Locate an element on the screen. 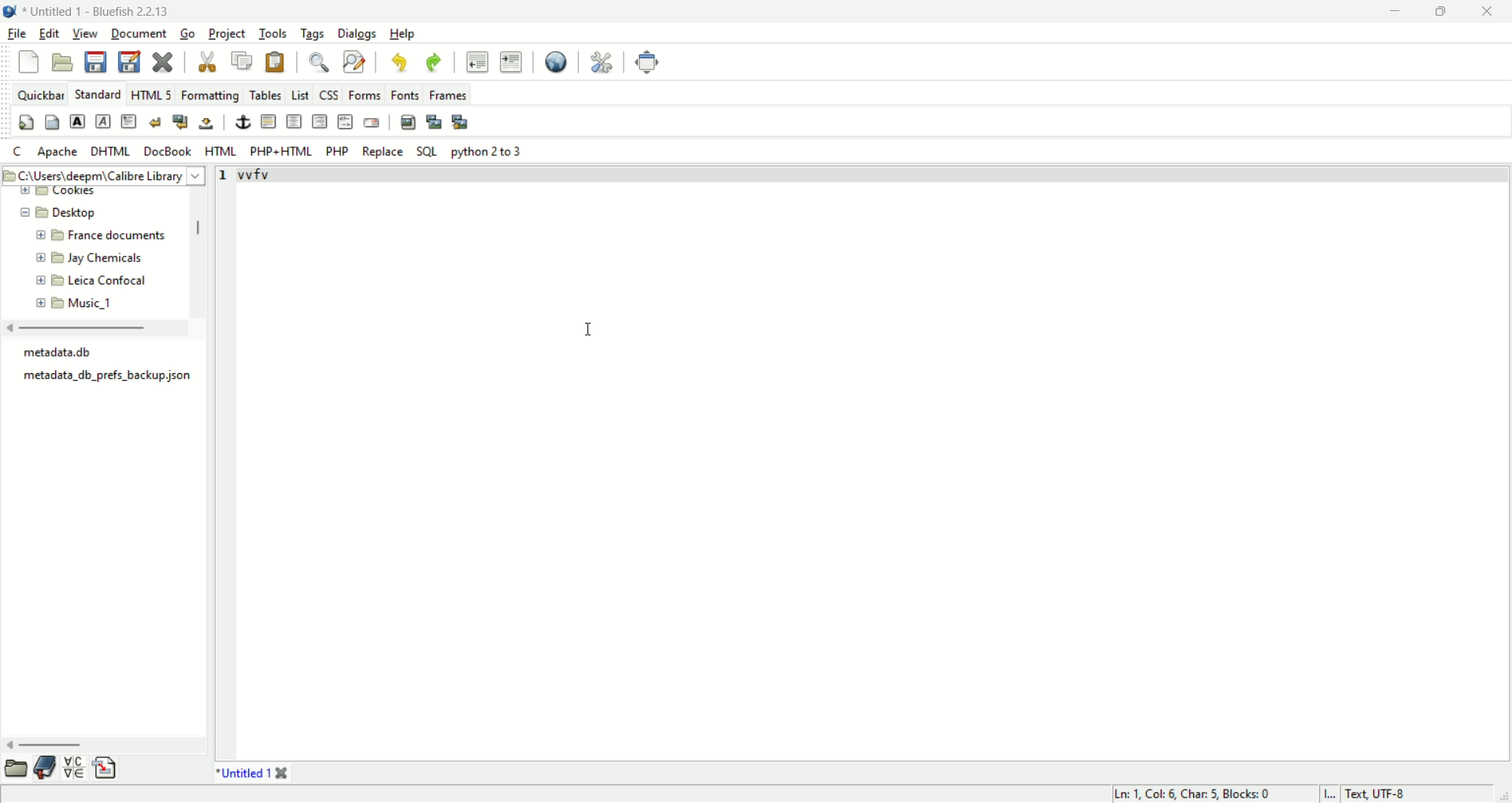 The image size is (1512, 803). close is located at coordinates (1493, 13).